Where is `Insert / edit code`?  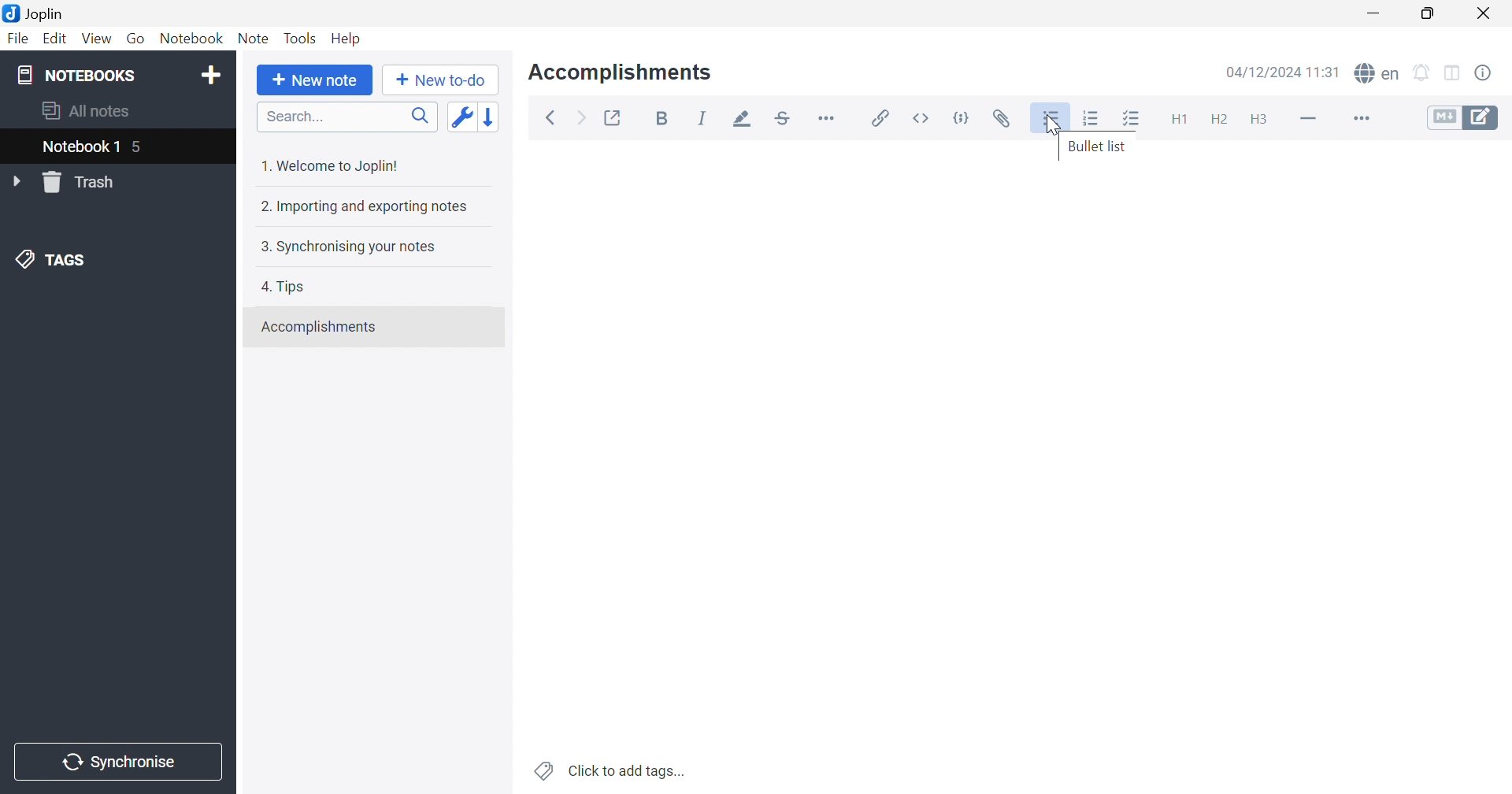 Insert / edit code is located at coordinates (877, 118).